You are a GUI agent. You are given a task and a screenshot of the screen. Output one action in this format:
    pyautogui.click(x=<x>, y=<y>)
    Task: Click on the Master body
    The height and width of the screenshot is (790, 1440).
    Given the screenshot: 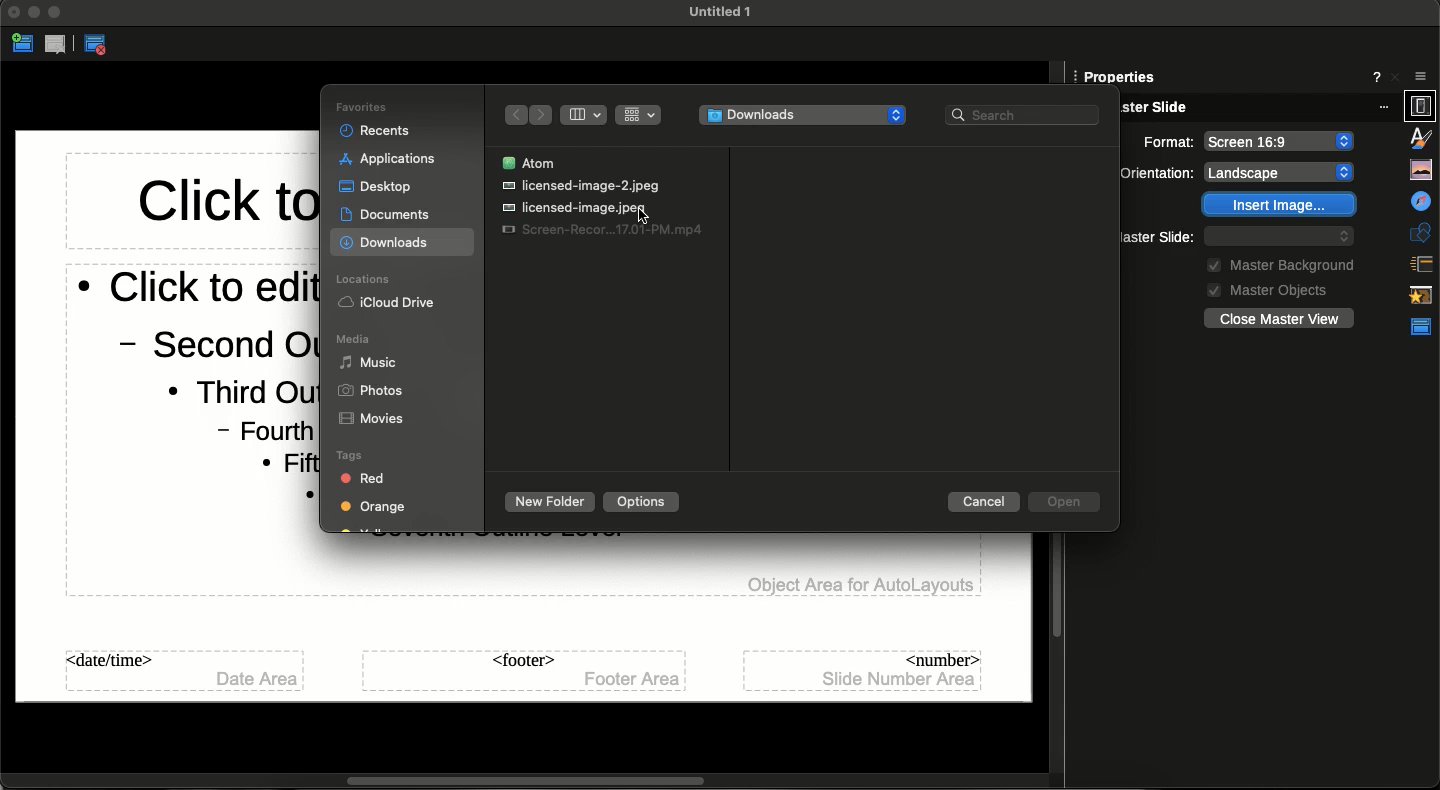 What is the action you would take?
    pyautogui.click(x=196, y=383)
    